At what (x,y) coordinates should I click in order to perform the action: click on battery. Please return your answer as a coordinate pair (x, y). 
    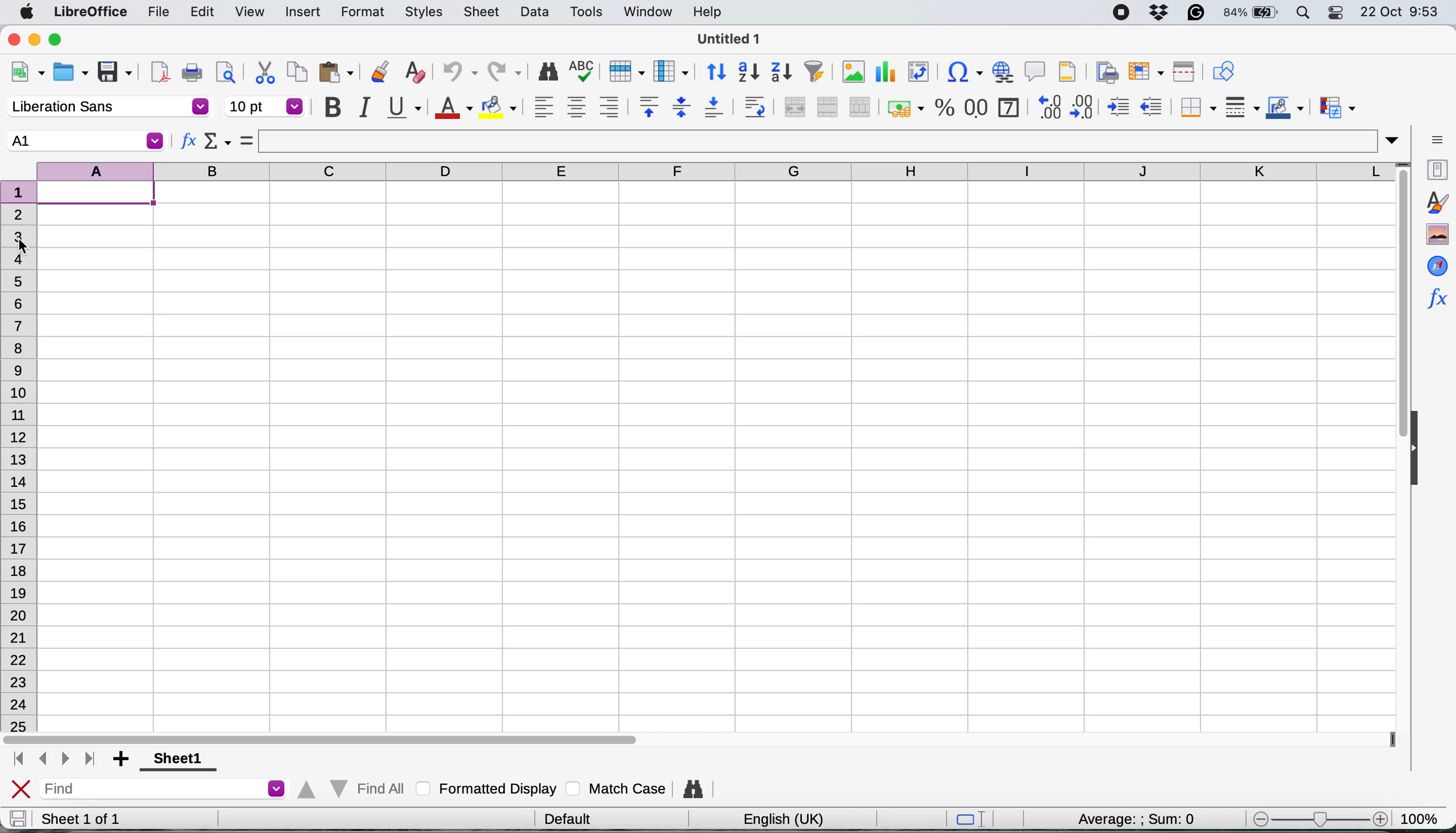
    Looking at the image, I should click on (1252, 13).